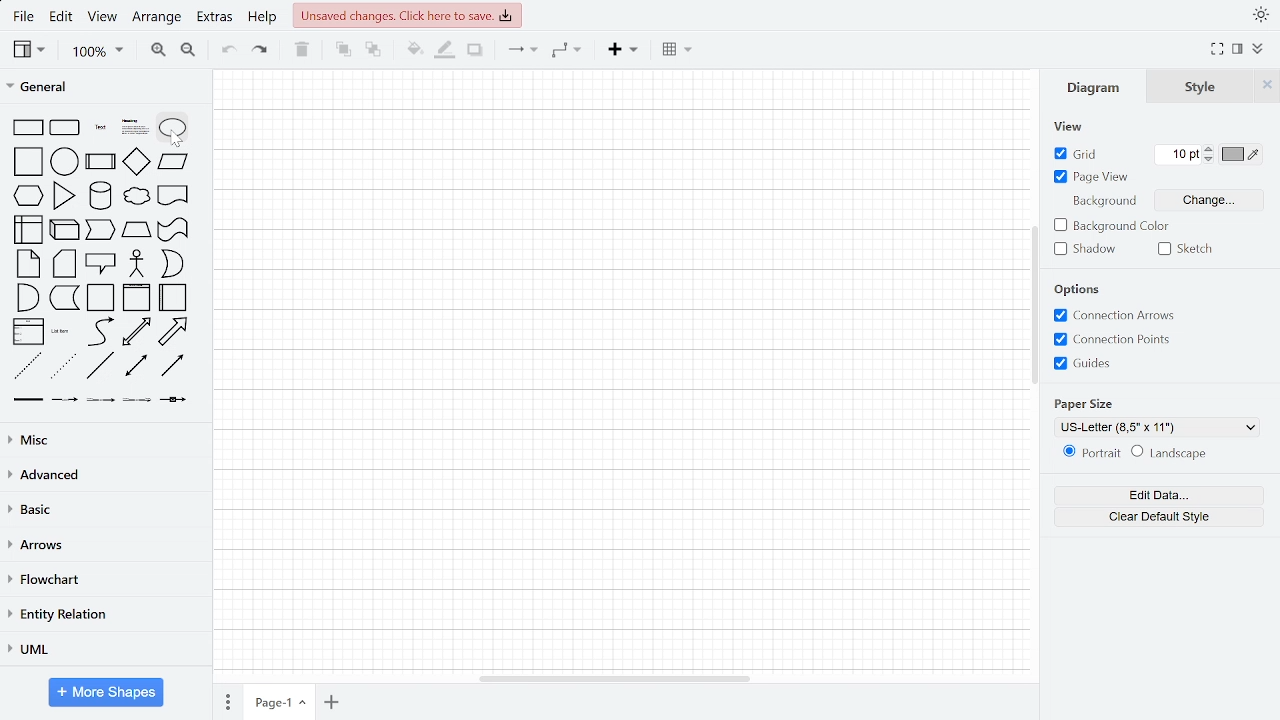  Describe the element at coordinates (1195, 89) in the screenshot. I see `Style` at that location.